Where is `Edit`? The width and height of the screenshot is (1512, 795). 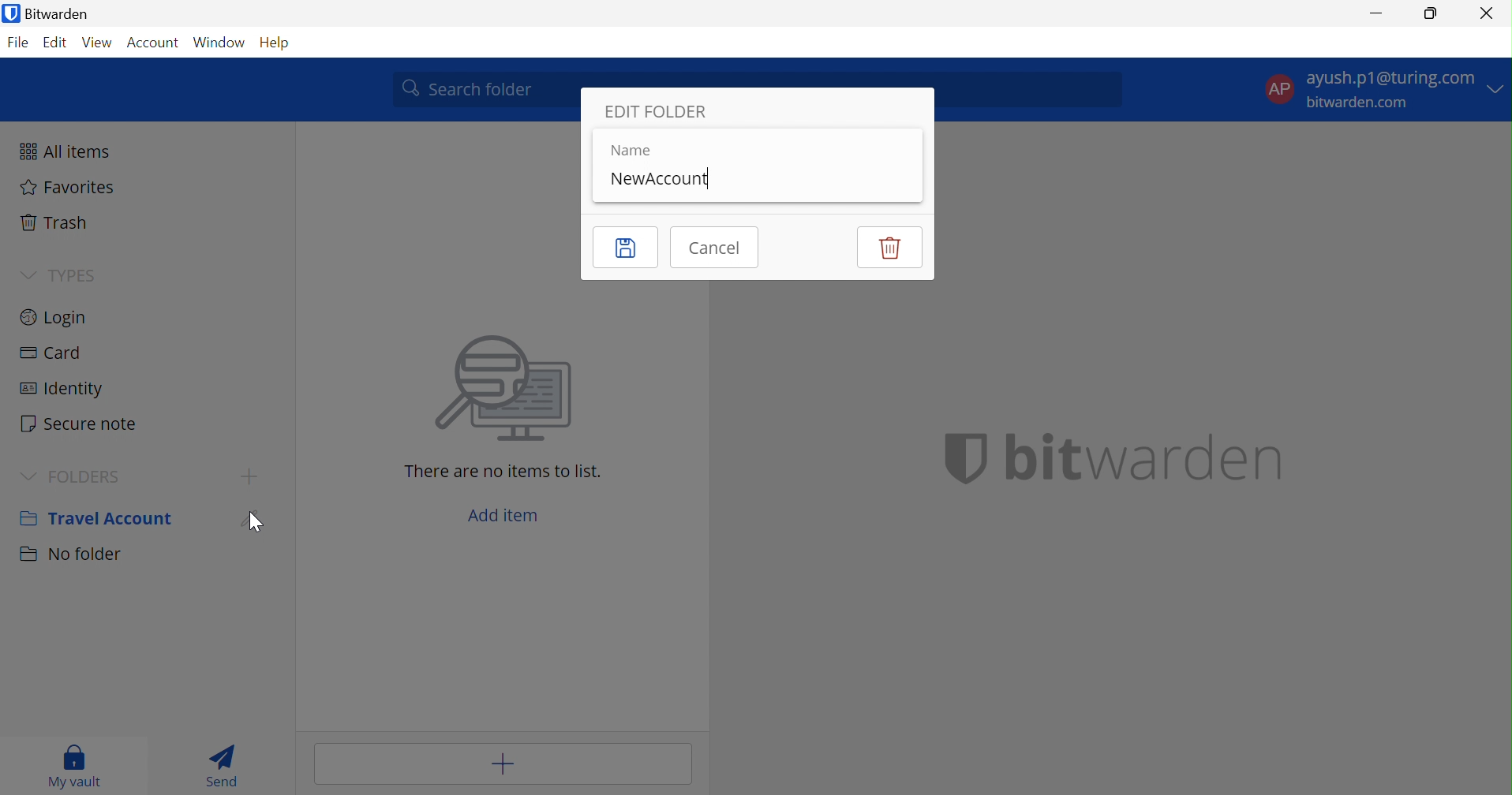
Edit is located at coordinates (256, 518).